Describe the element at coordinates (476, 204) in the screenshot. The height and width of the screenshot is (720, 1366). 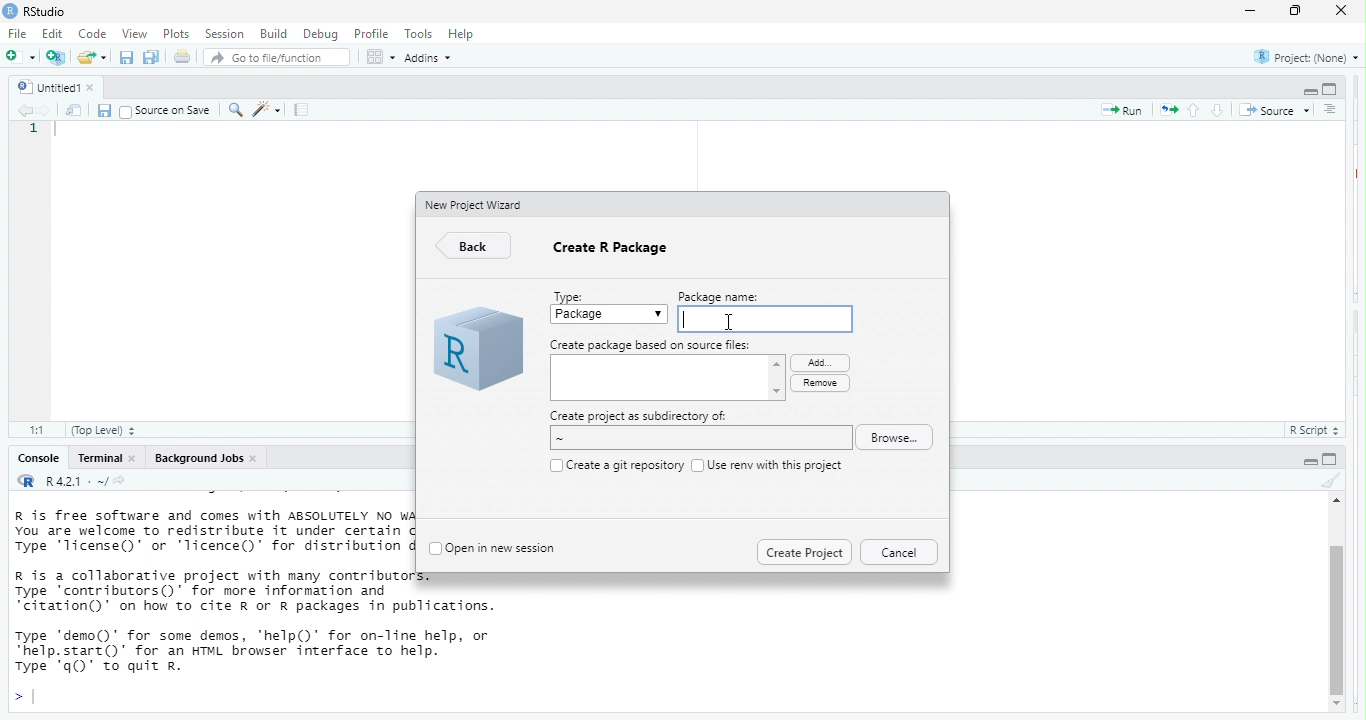
I see `New Project Wizard` at that location.